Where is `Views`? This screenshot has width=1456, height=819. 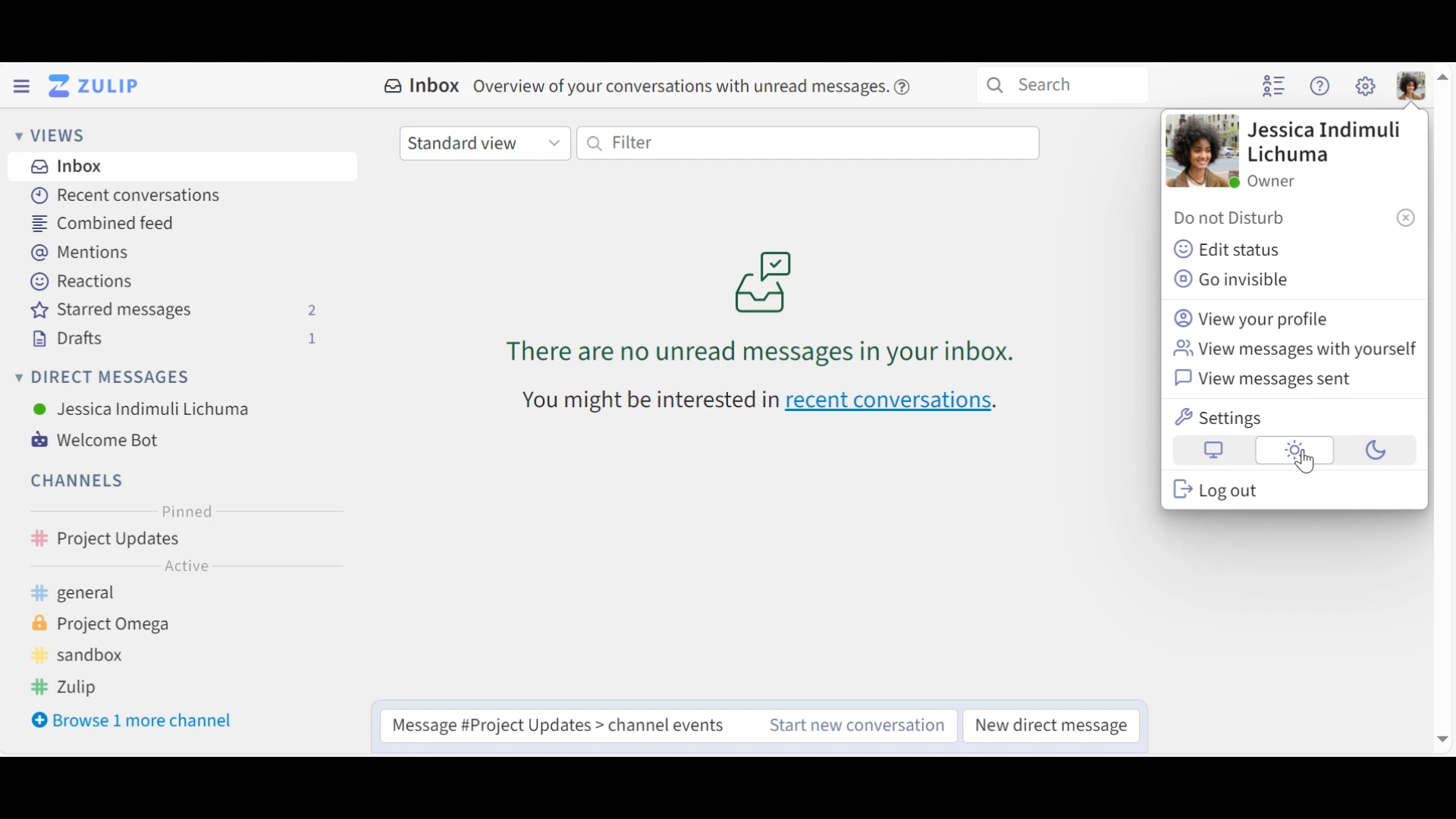 Views is located at coordinates (49, 134).